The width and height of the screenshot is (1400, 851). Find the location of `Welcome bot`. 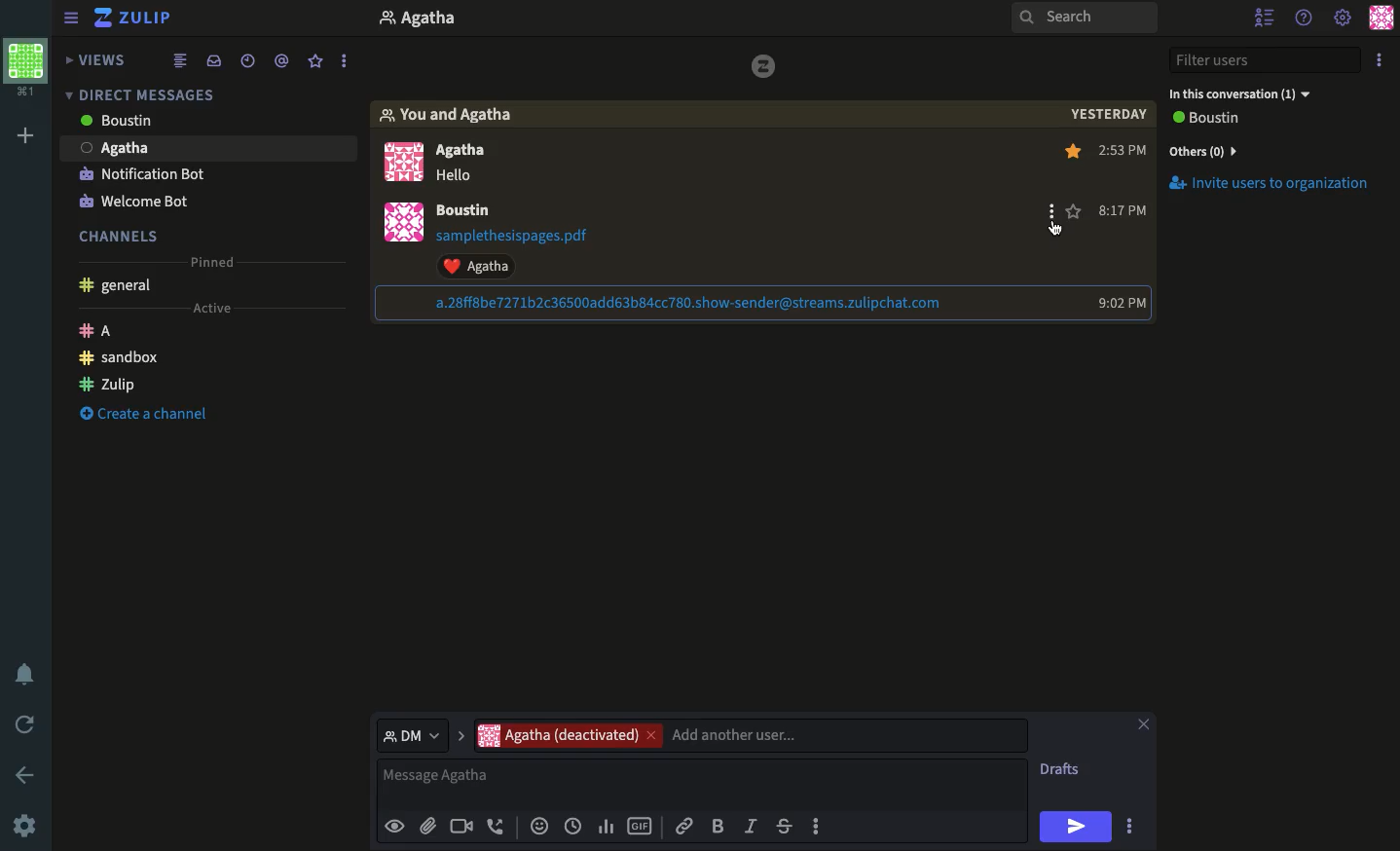

Welcome bot is located at coordinates (133, 202).